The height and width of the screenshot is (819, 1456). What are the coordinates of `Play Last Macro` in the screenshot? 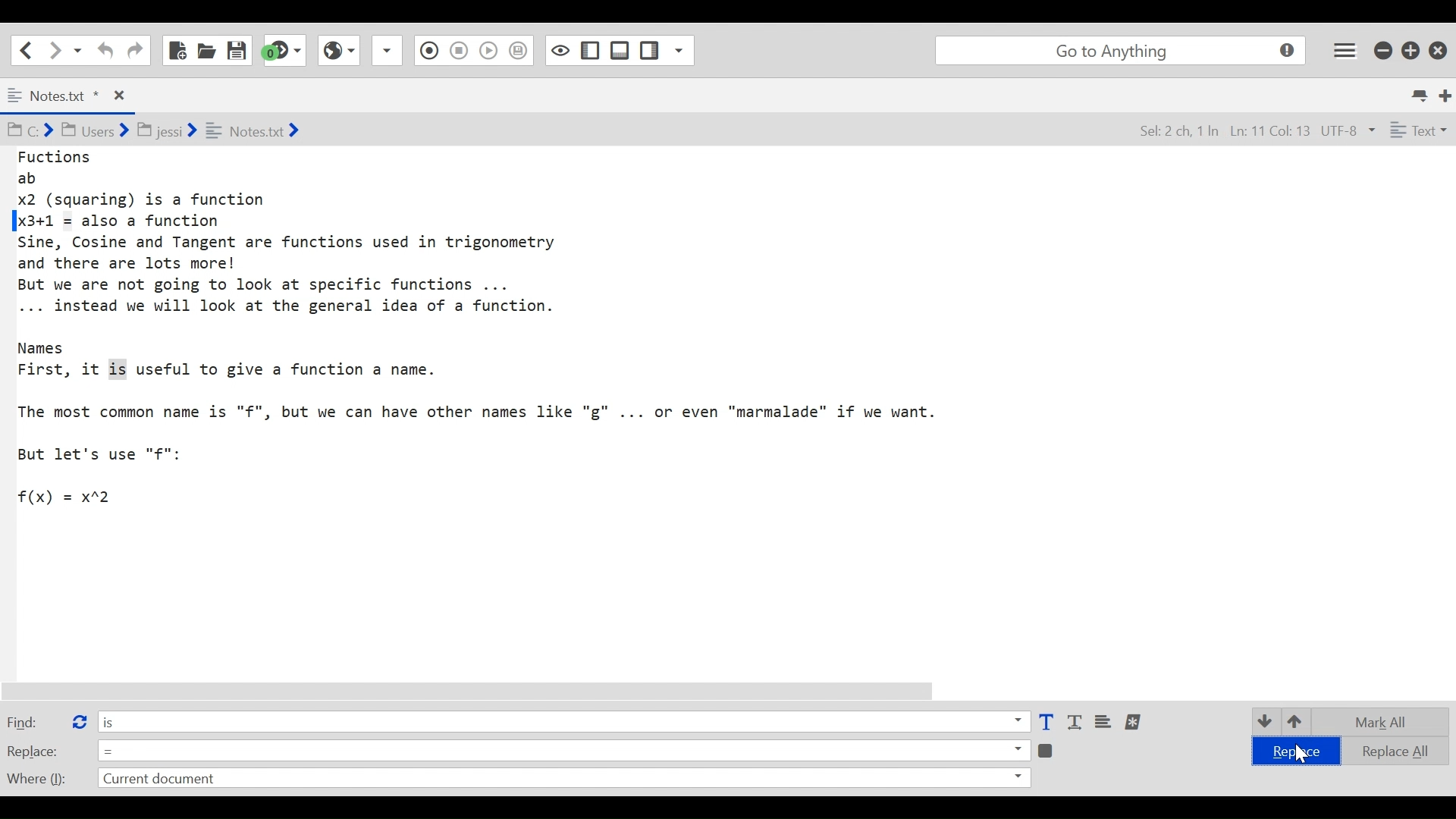 It's located at (338, 49).